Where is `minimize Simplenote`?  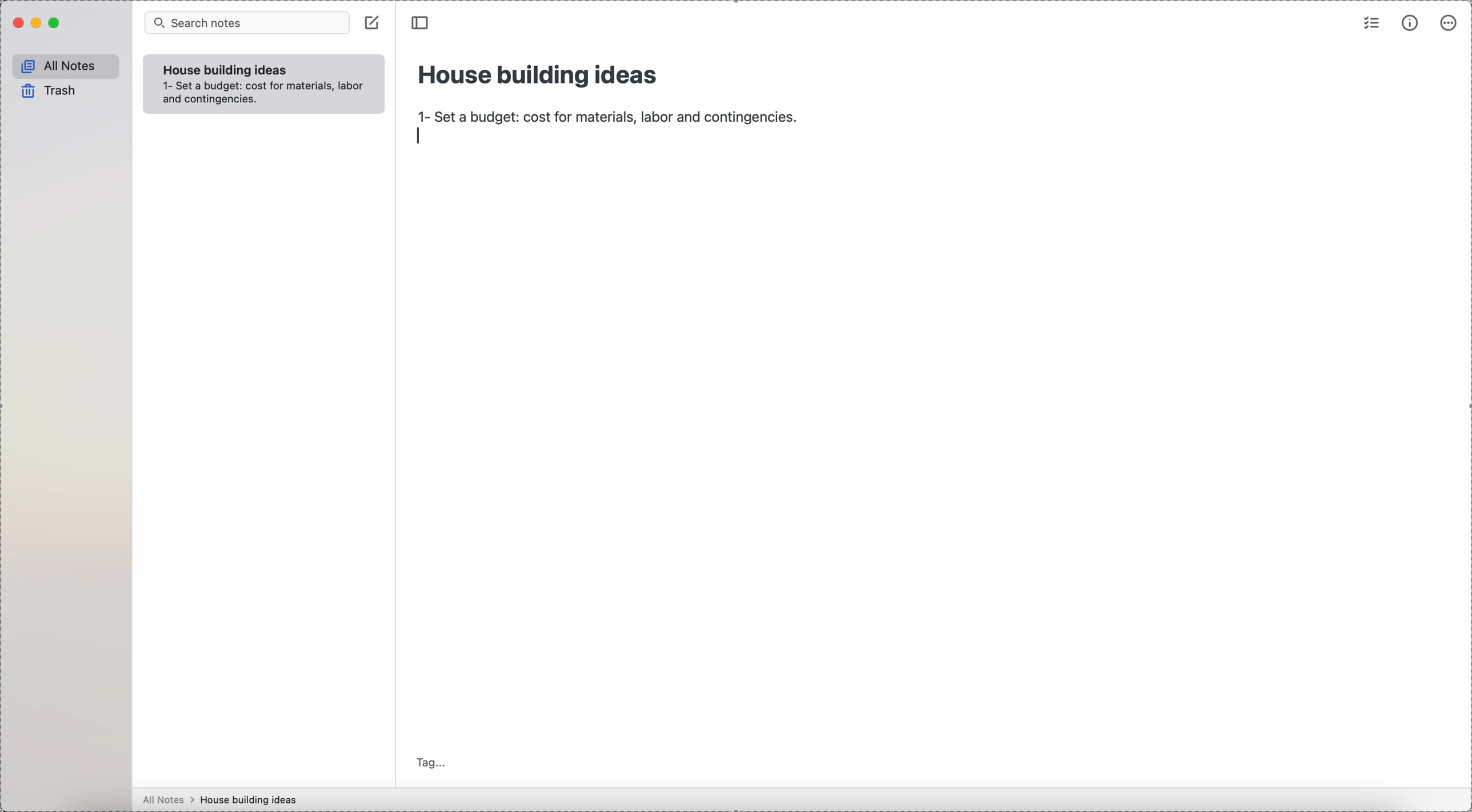
minimize Simplenote is located at coordinates (38, 25).